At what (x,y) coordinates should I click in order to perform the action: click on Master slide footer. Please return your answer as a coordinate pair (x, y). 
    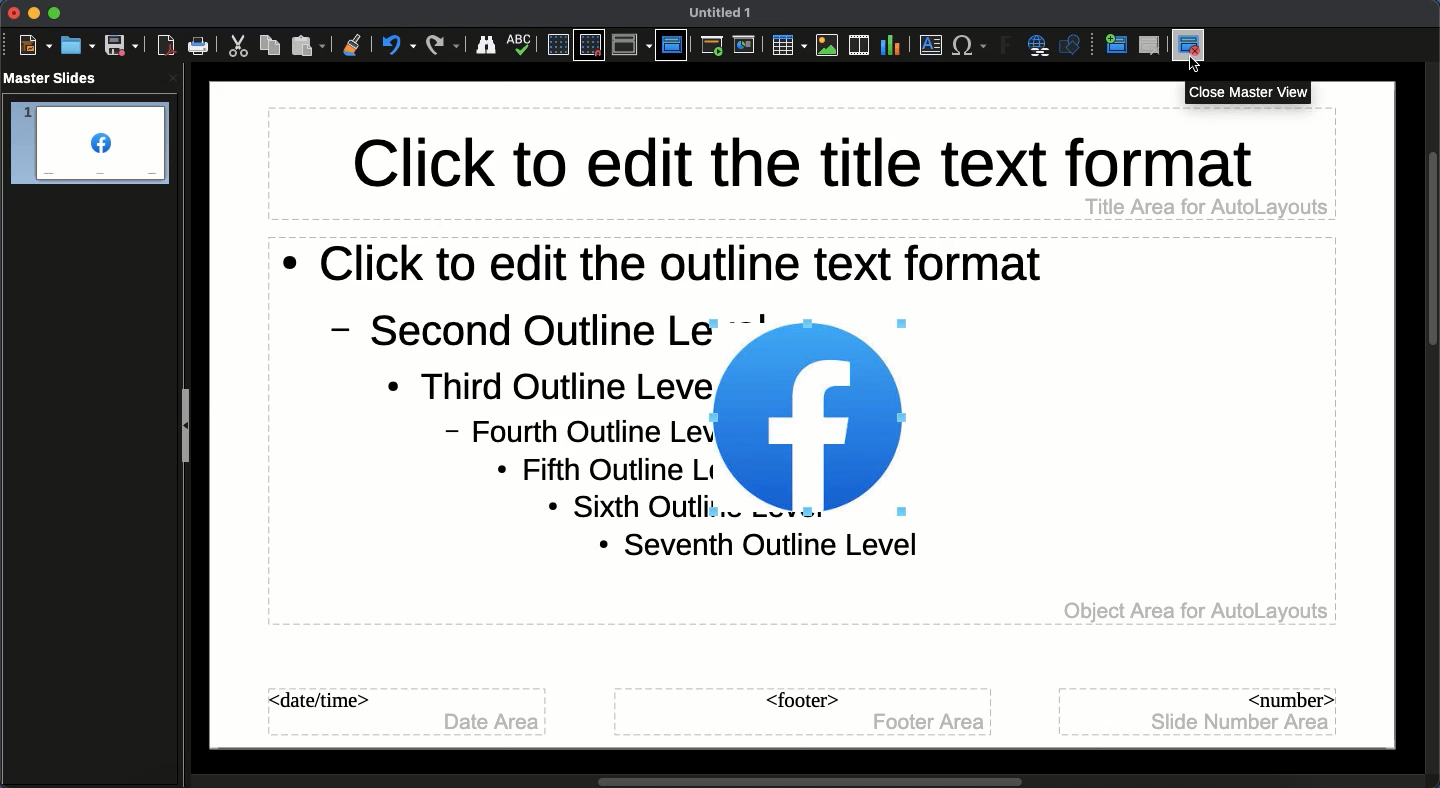
    Looking at the image, I should click on (805, 712).